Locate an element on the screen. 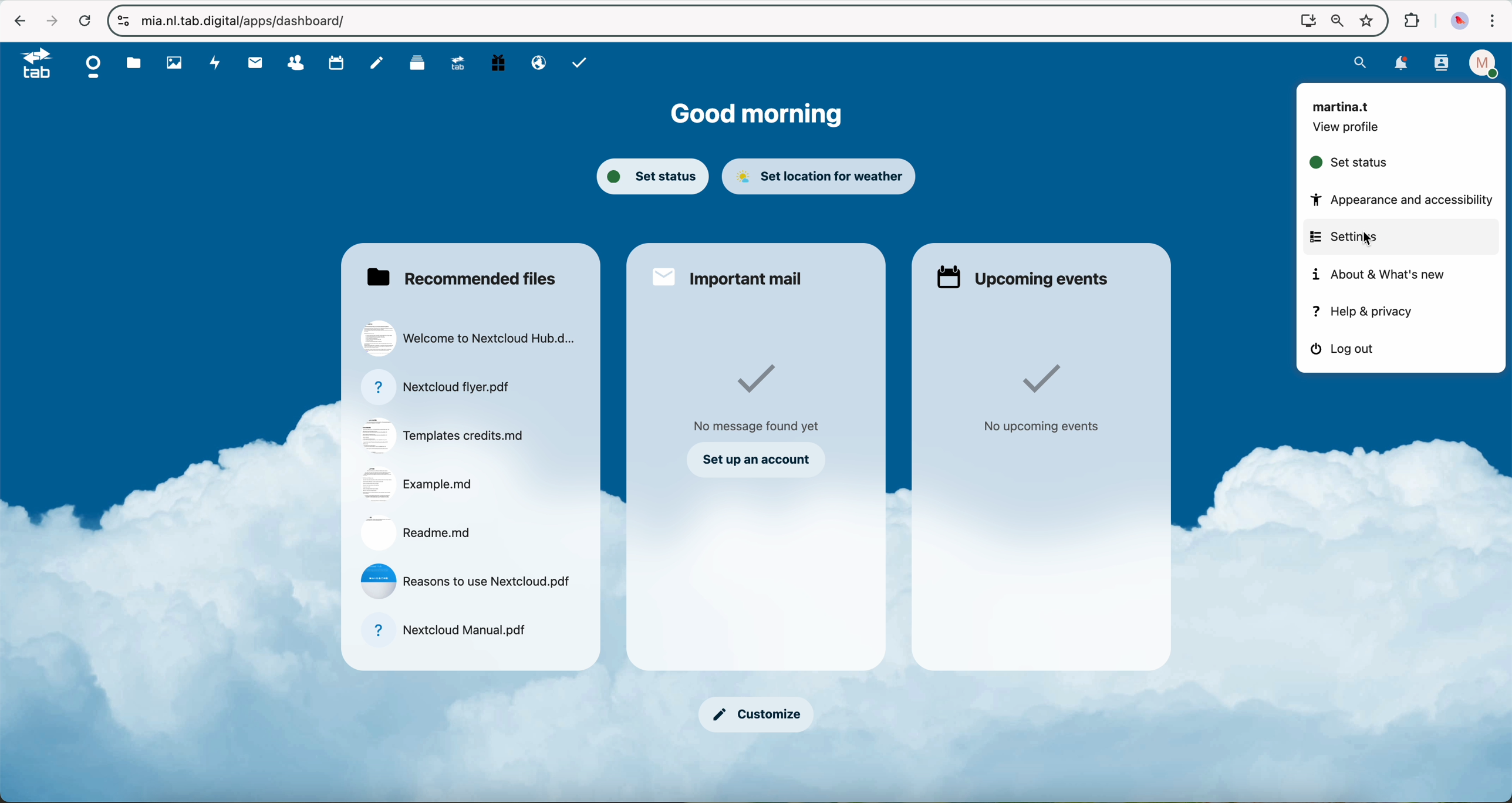 Image resolution: width=1512 pixels, height=803 pixels. zoom out is located at coordinates (1334, 21).